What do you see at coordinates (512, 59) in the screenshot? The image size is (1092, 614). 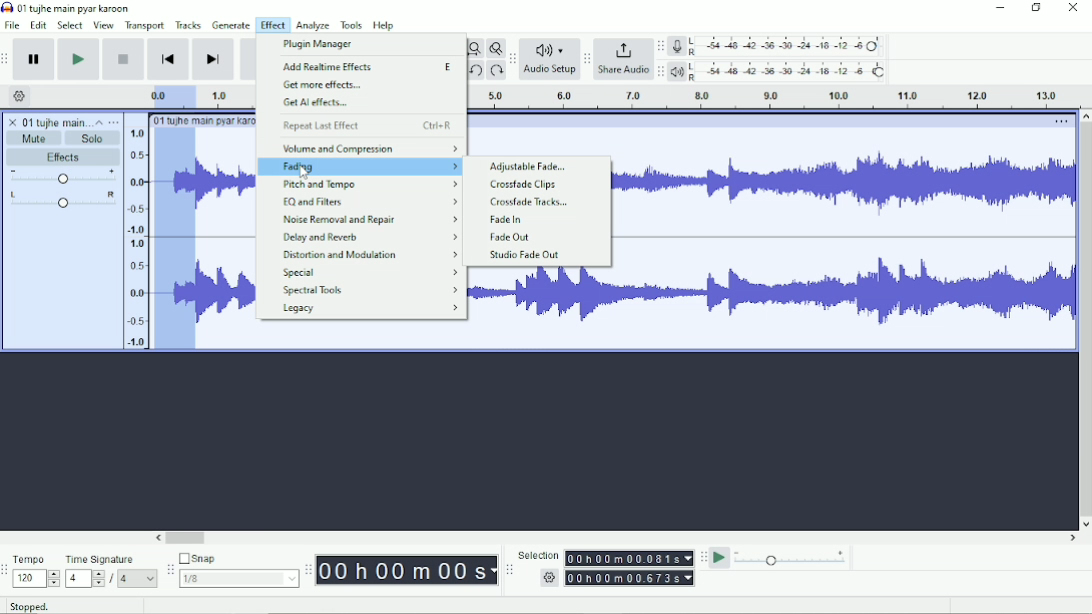 I see `Audacity audio setup toolbar` at bounding box center [512, 59].